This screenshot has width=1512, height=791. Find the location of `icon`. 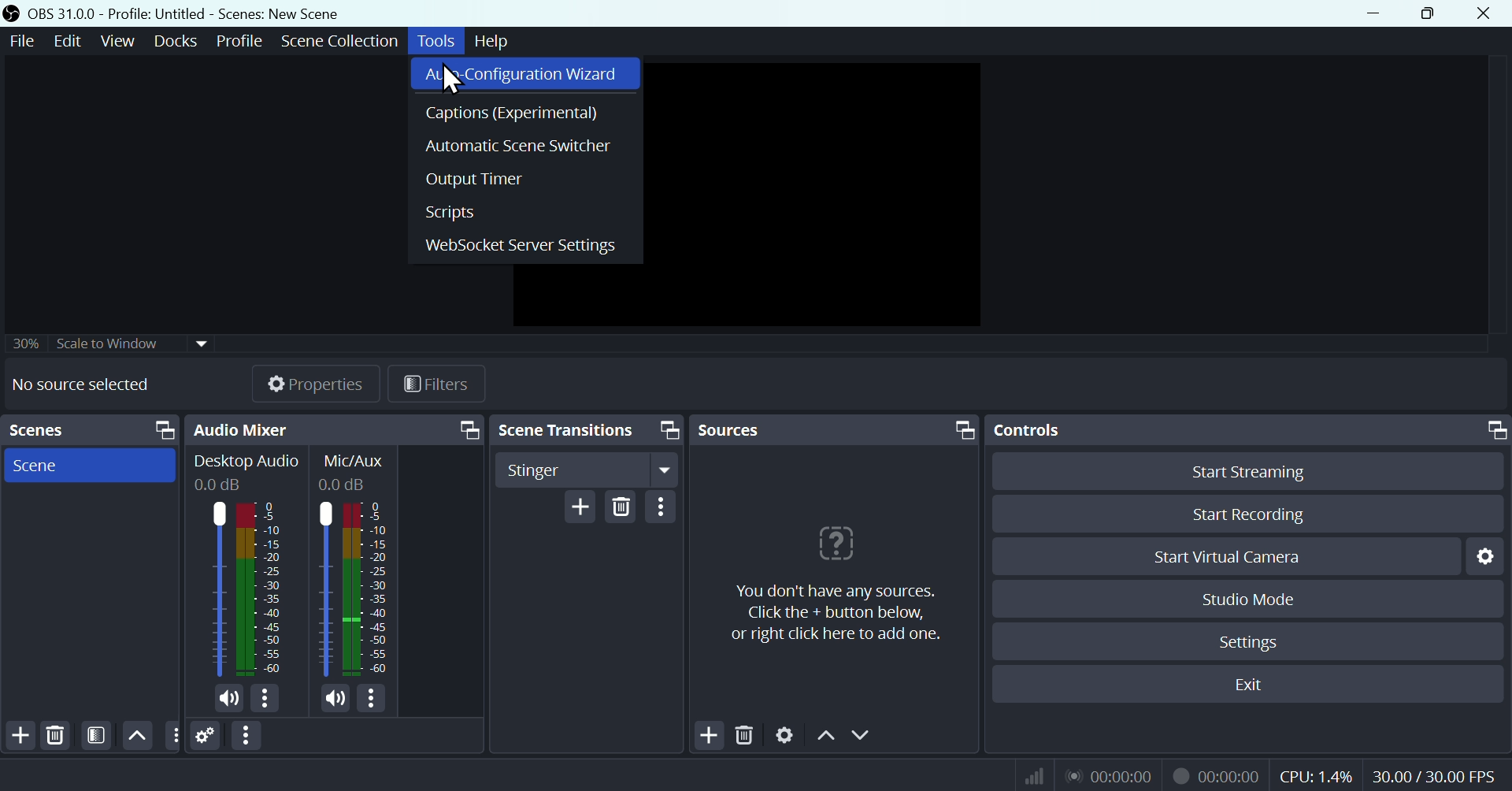

icon is located at coordinates (13, 14).